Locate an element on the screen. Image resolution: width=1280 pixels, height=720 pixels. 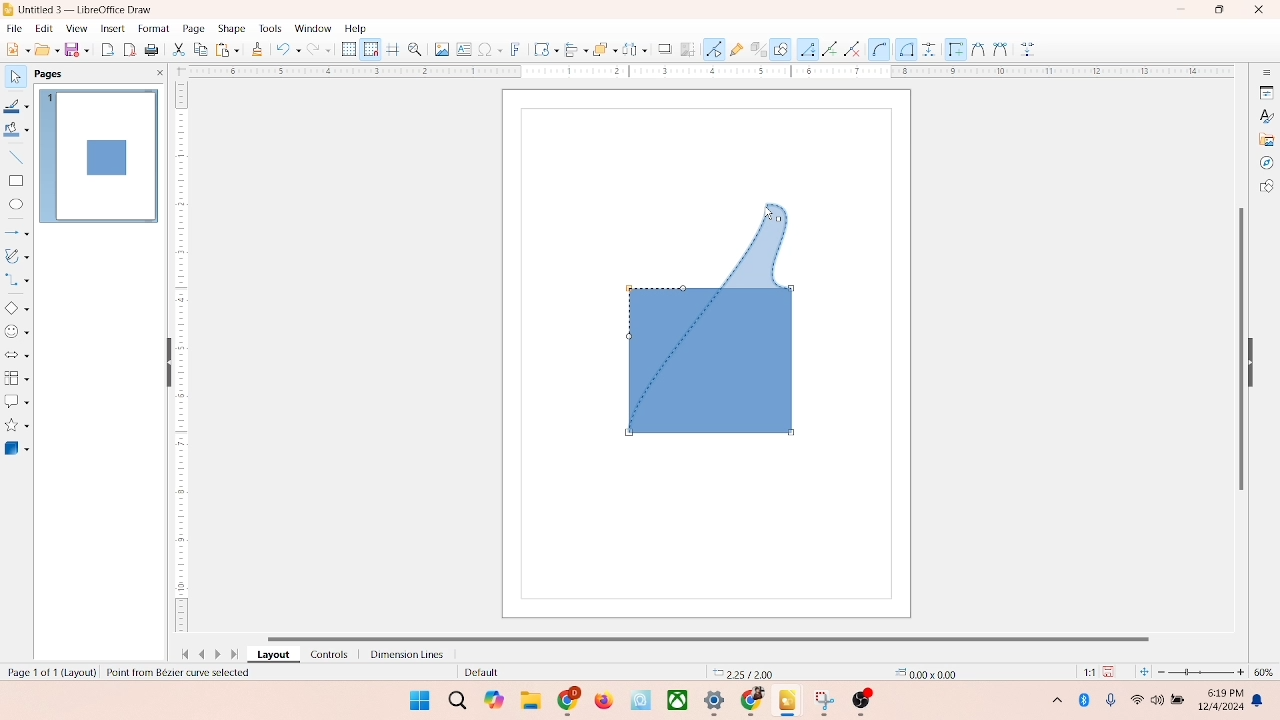
title is located at coordinates (87, 8).